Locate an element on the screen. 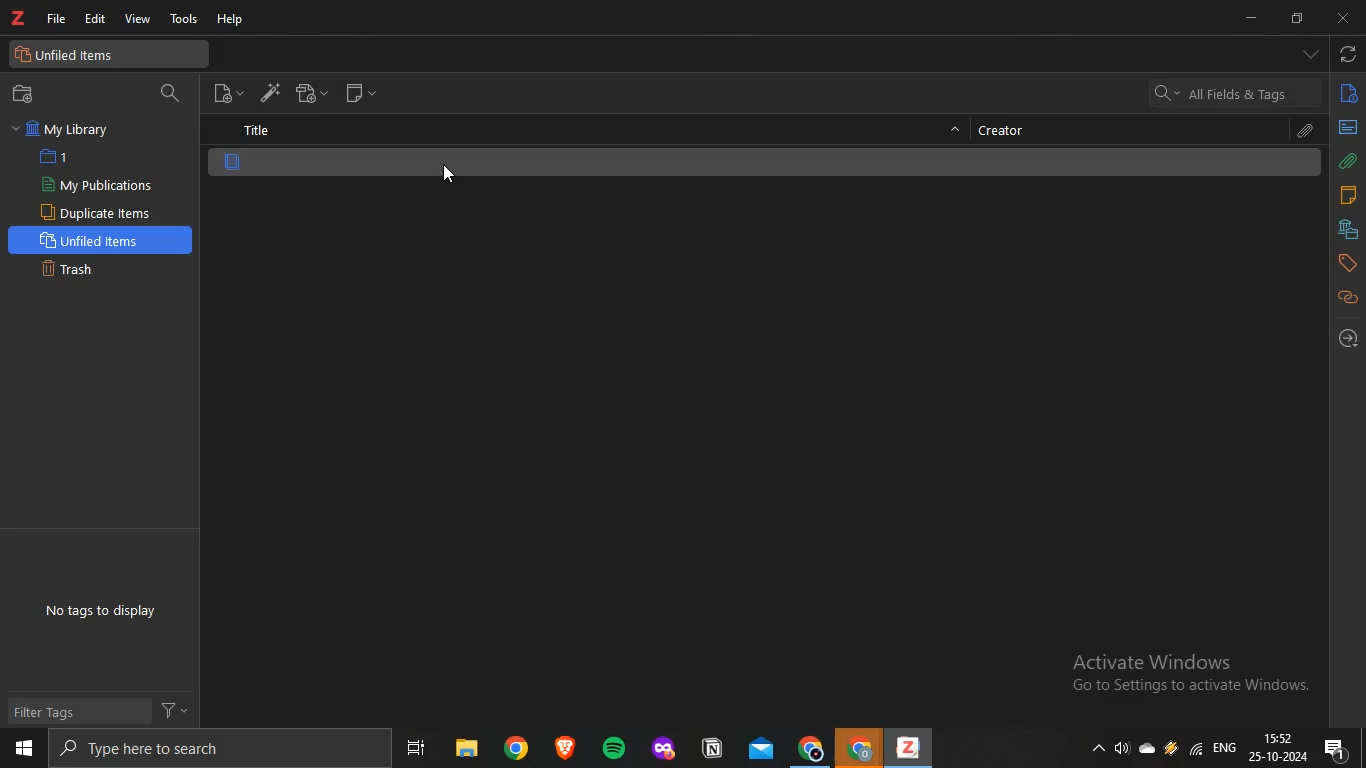 The width and height of the screenshot is (1366, 768). edit is located at coordinates (95, 20).